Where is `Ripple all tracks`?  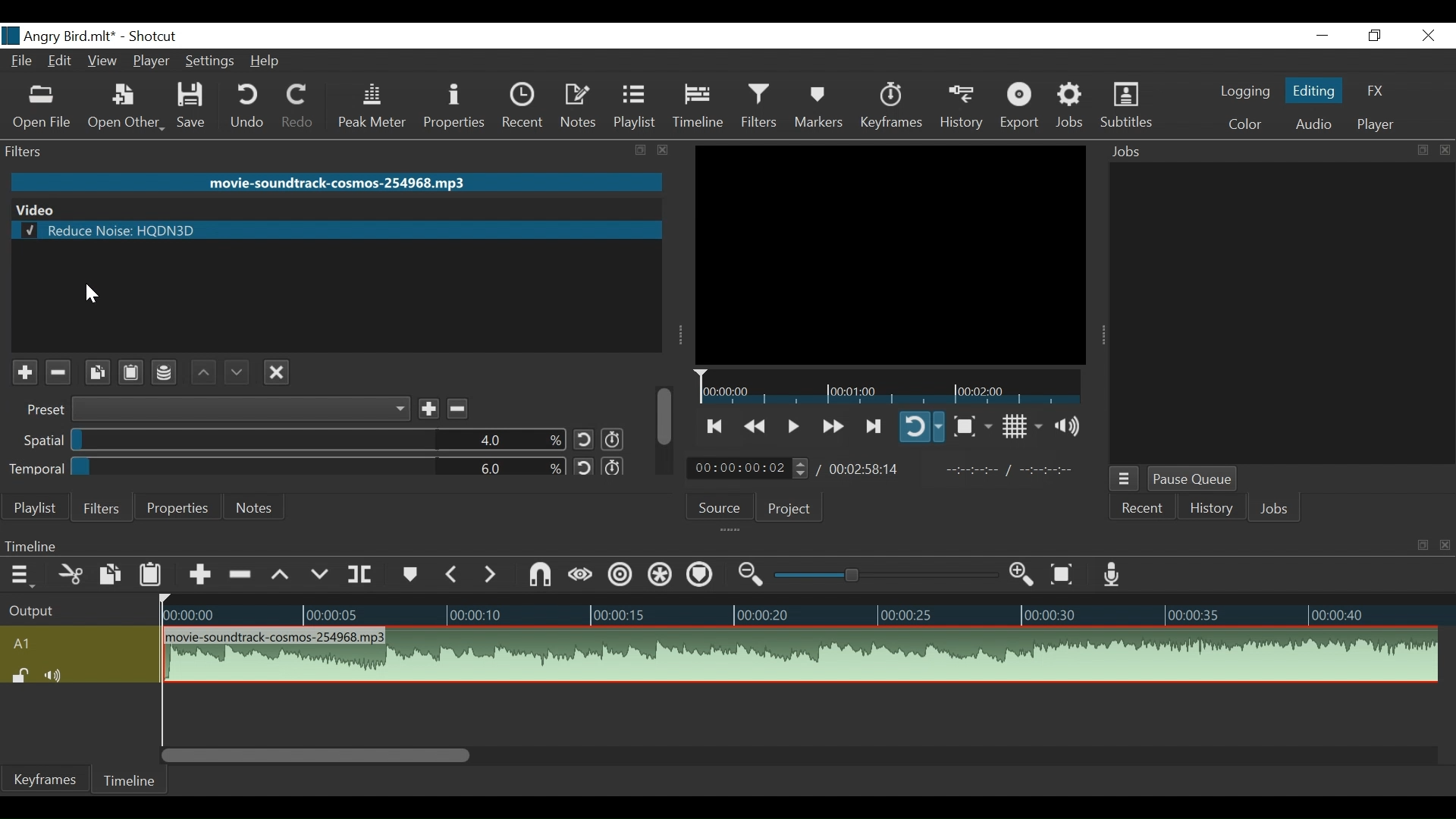 Ripple all tracks is located at coordinates (661, 576).